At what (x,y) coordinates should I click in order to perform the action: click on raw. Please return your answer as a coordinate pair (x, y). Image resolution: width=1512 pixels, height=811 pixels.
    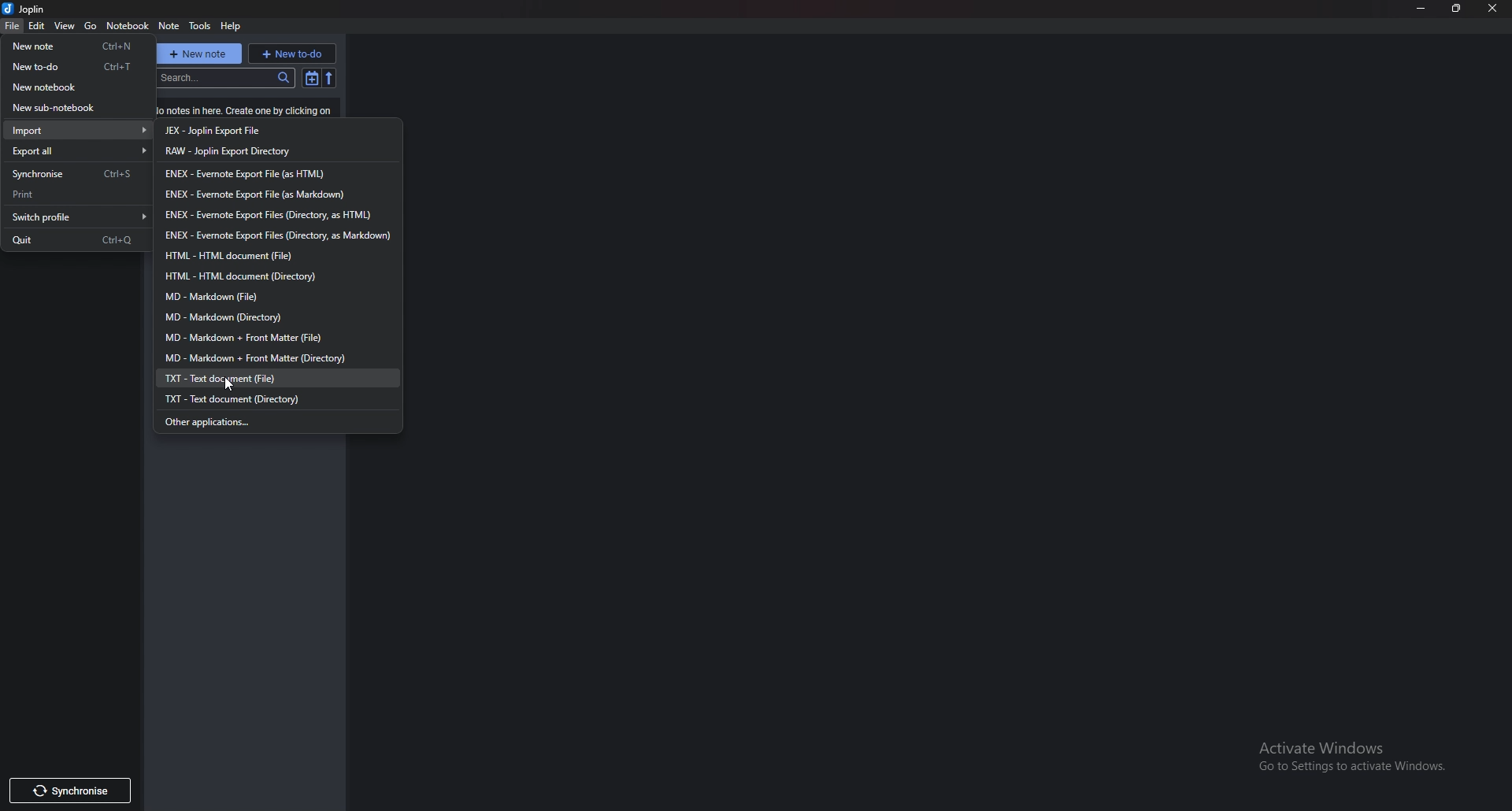
    Looking at the image, I should click on (243, 151).